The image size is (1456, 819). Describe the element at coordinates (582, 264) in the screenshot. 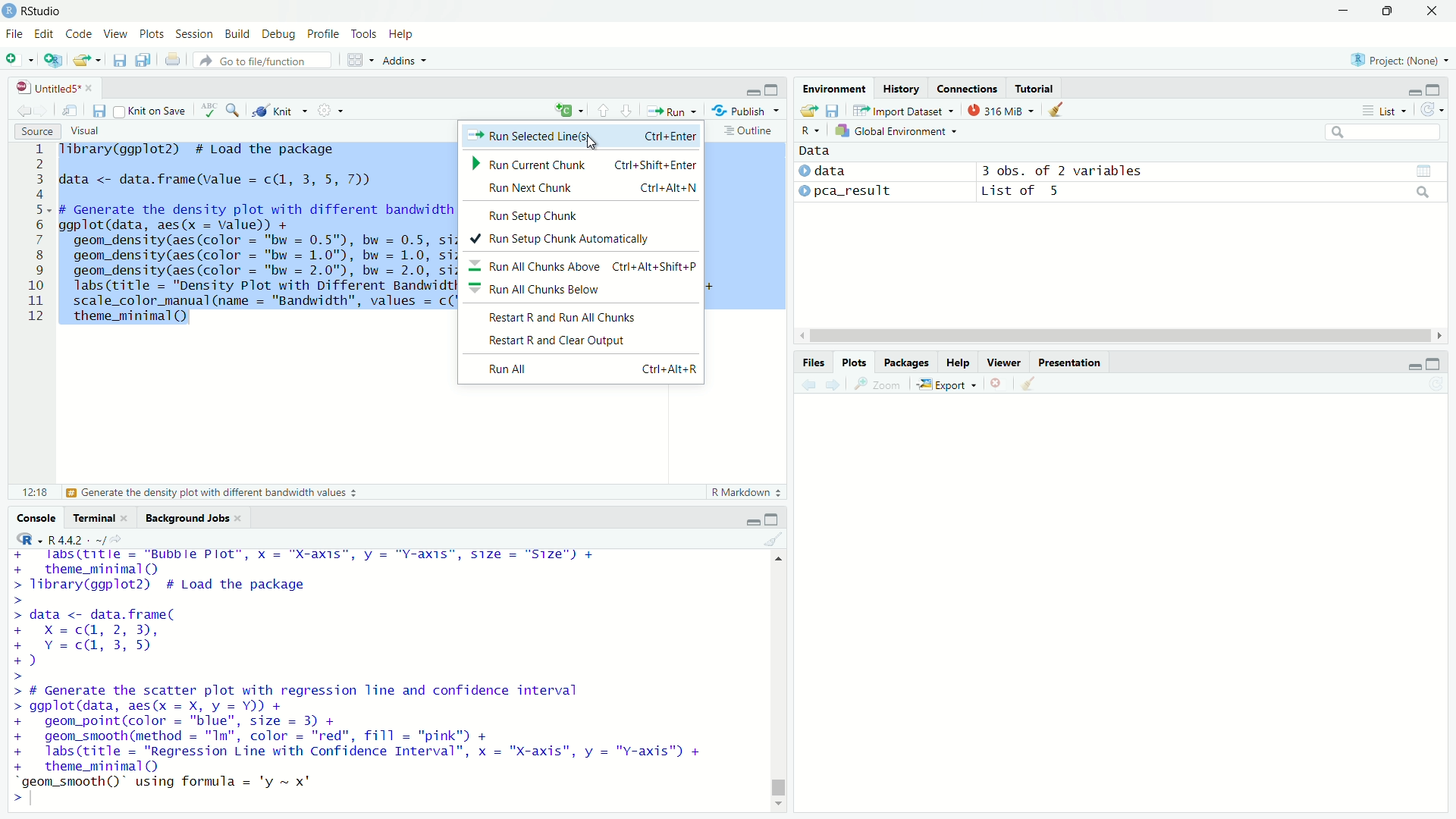

I see `Run All Chunks Above  Ctrl+Alt+Shift+P` at that location.